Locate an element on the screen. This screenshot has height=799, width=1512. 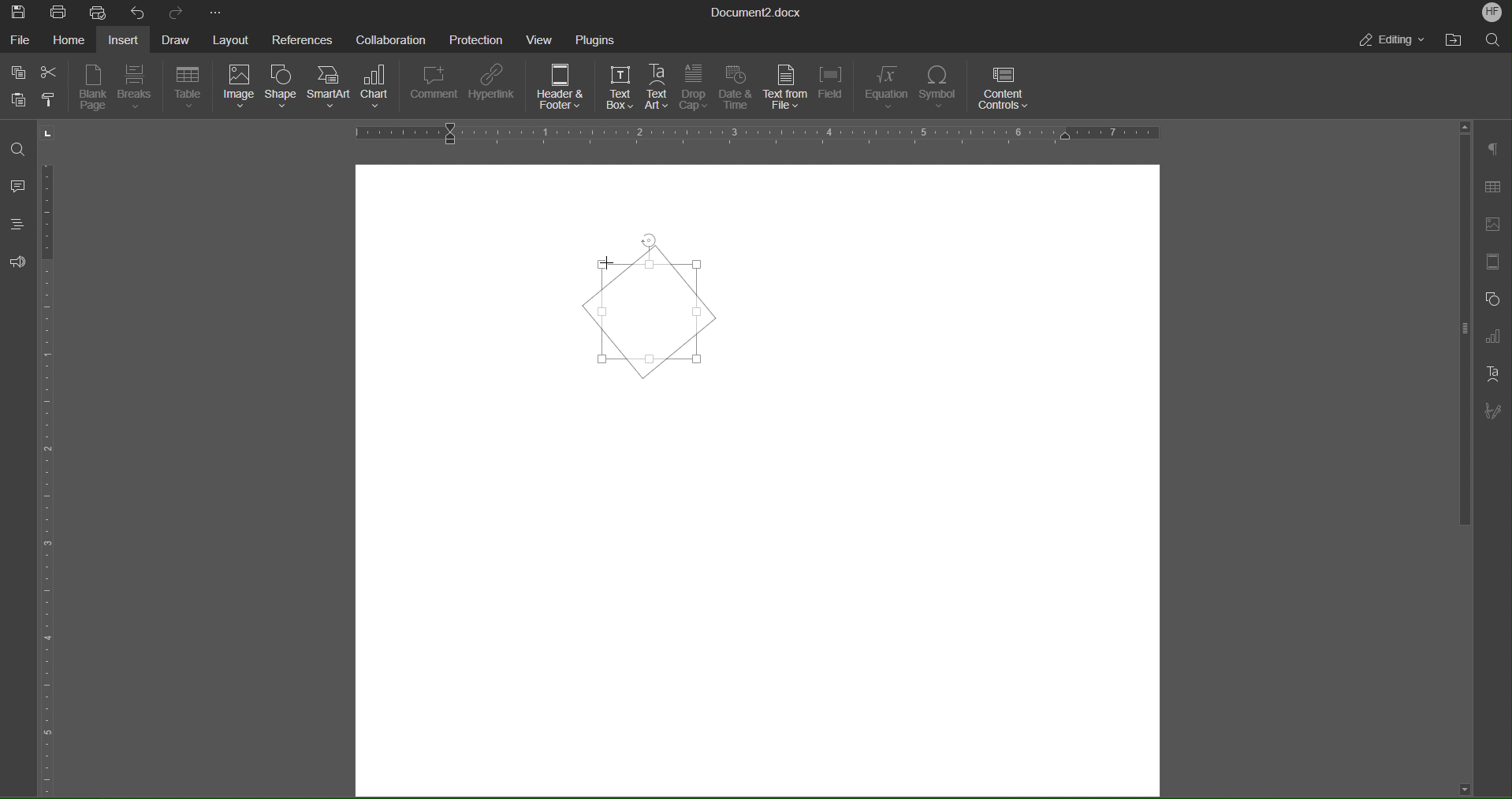
Blank Page is located at coordinates (93, 87).